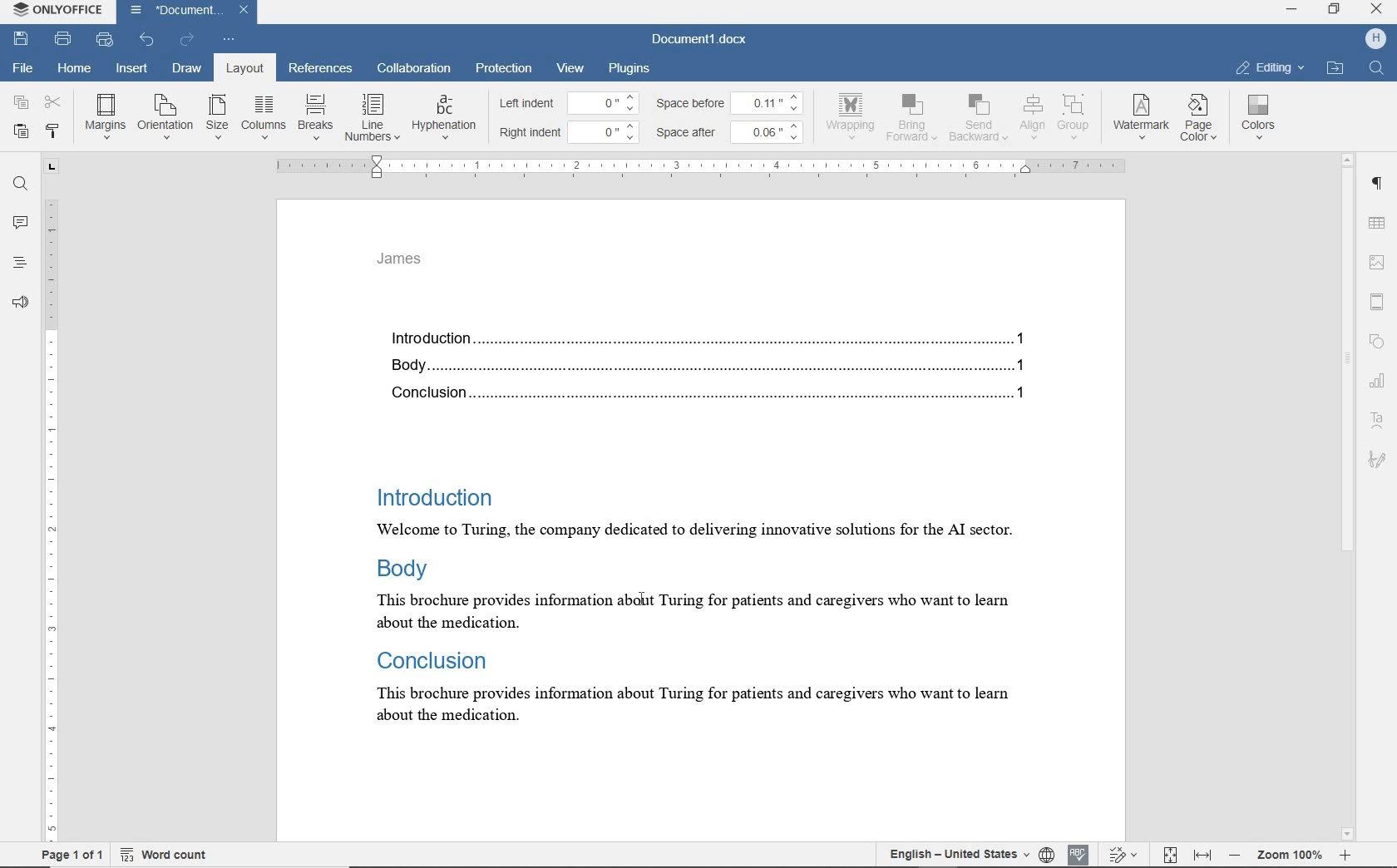 The image size is (1397, 868). What do you see at coordinates (249, 8) in the screenshot?
I see `close` at bounding box center [249, 8].